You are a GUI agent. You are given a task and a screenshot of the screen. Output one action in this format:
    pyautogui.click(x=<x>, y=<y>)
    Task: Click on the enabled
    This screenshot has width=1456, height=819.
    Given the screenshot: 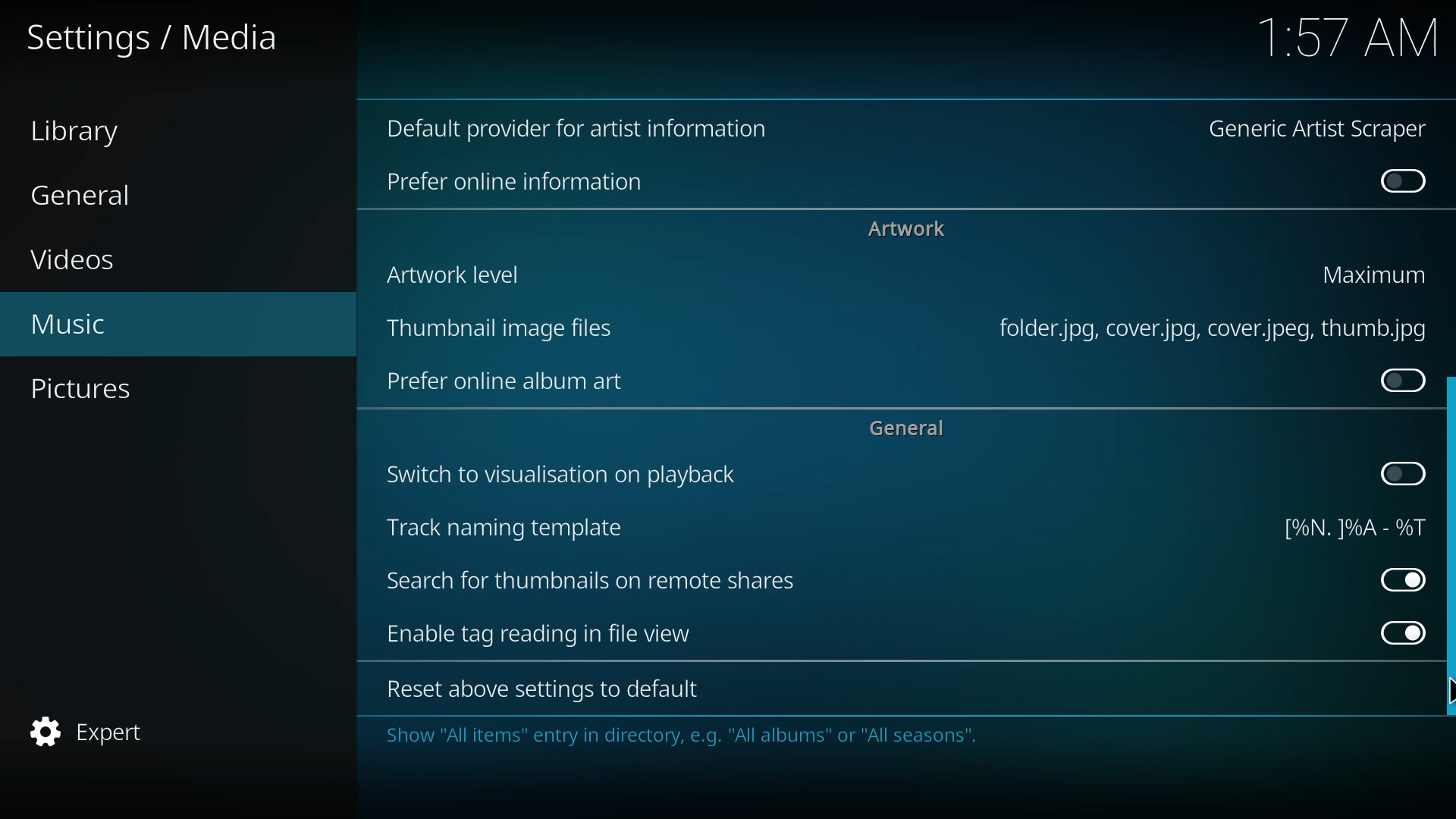 What is the action you would take?
    pyautogui.click(x=1401, y=579)
    